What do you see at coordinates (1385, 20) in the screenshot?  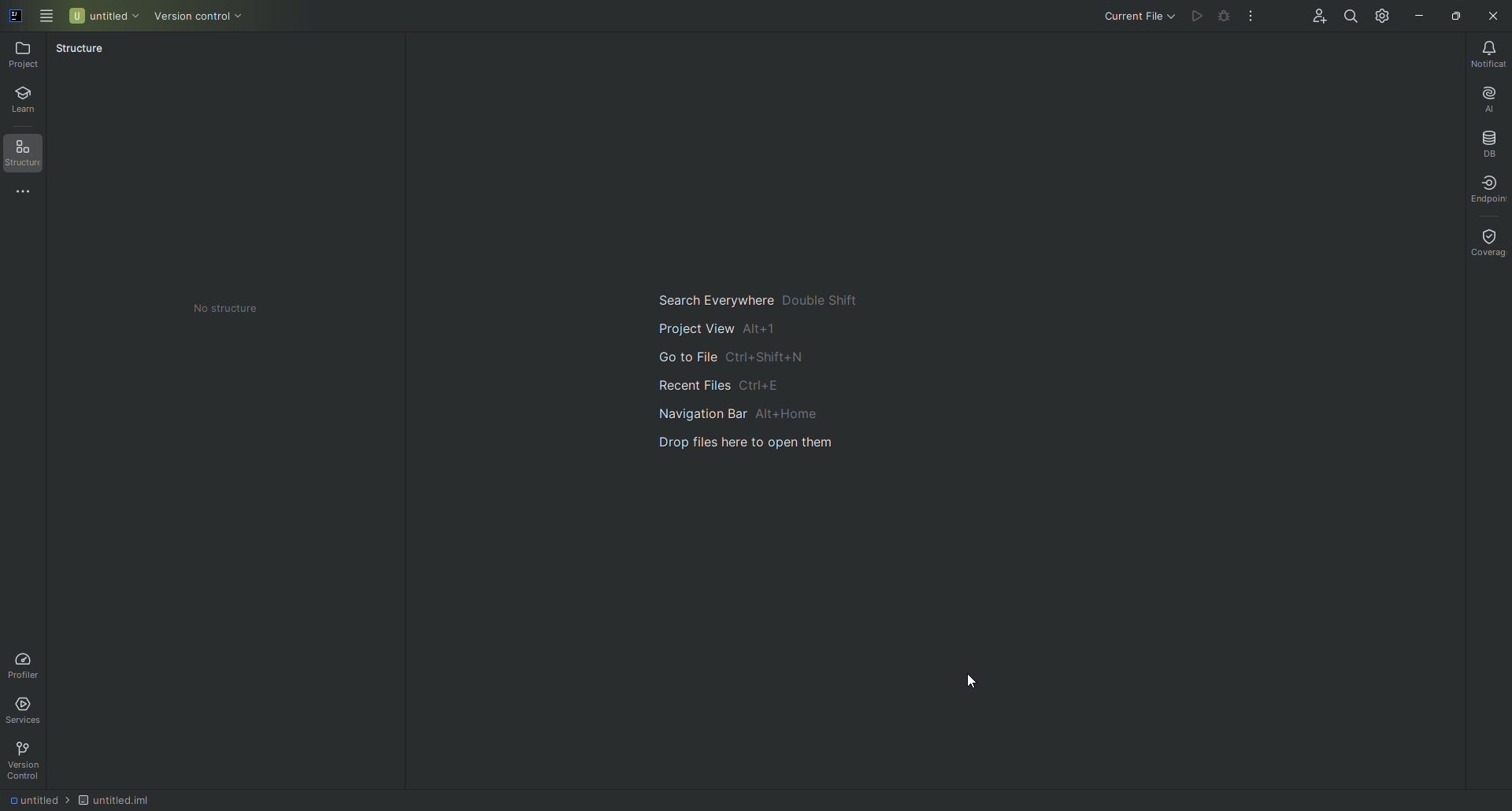 I see `Updates and Settings` at bounding box center [1385, 20].